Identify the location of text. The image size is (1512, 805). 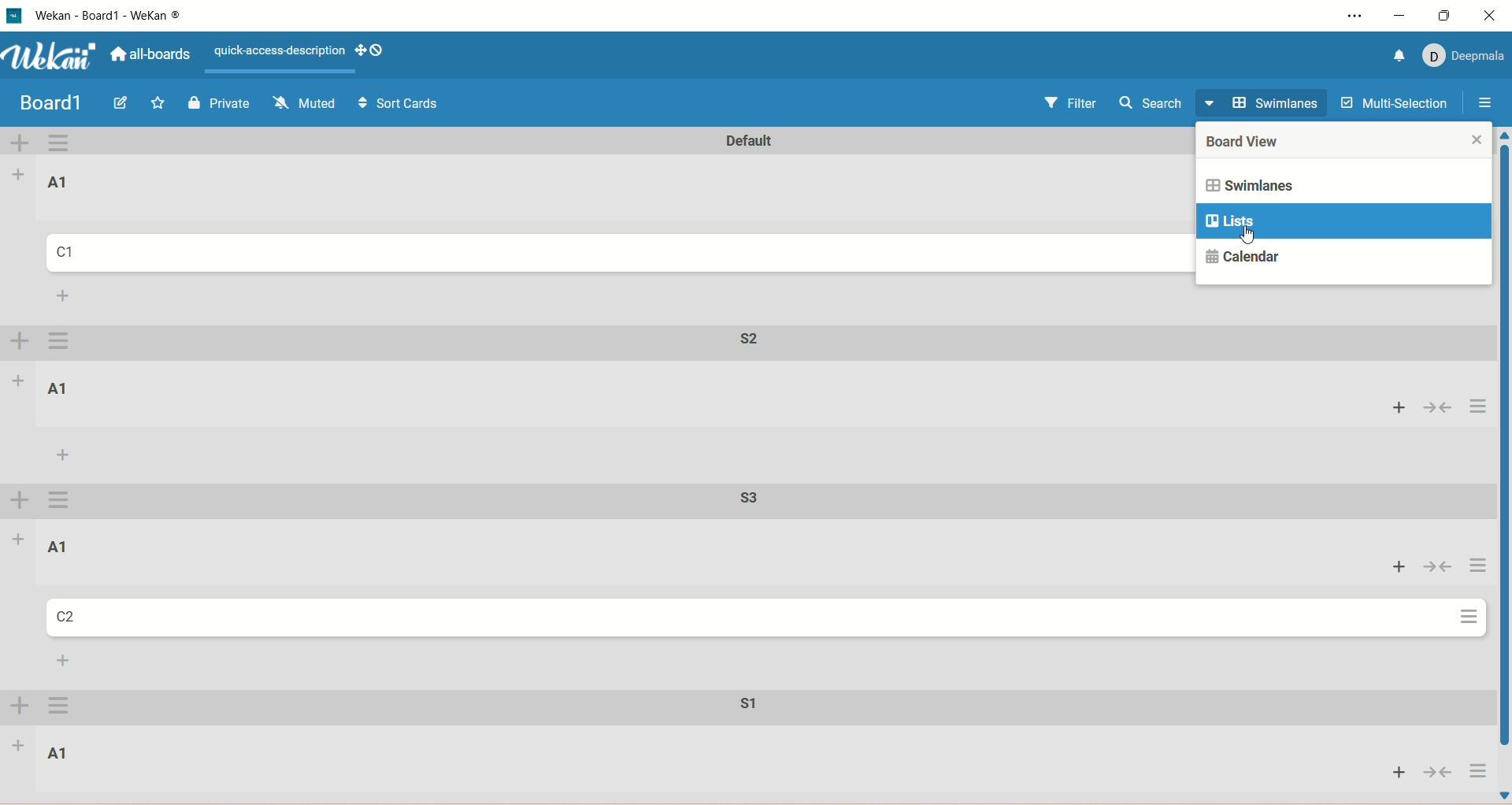
(276, 52).